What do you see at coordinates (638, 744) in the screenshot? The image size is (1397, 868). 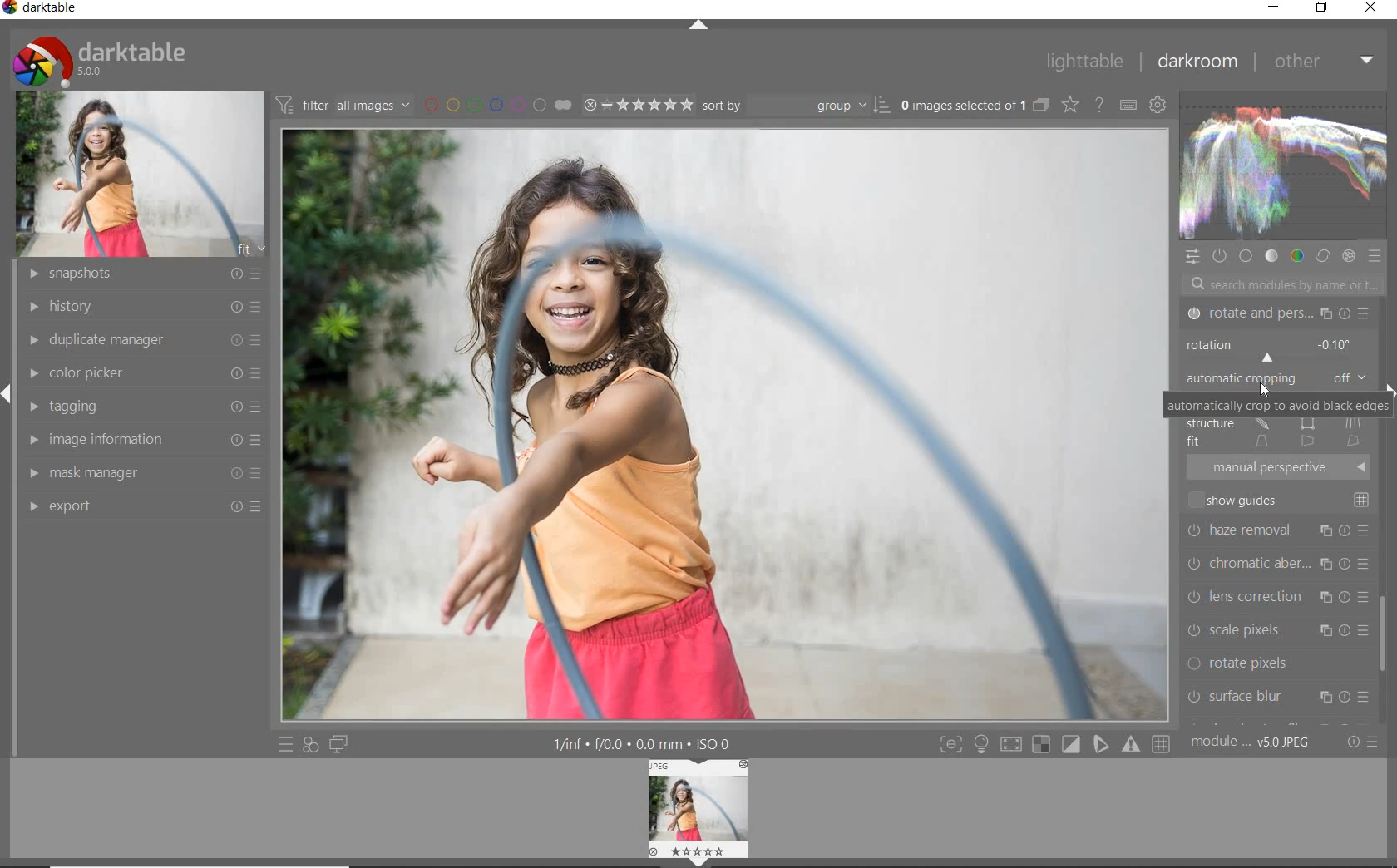 I see `other interface details` at bounding box center [638, 744].